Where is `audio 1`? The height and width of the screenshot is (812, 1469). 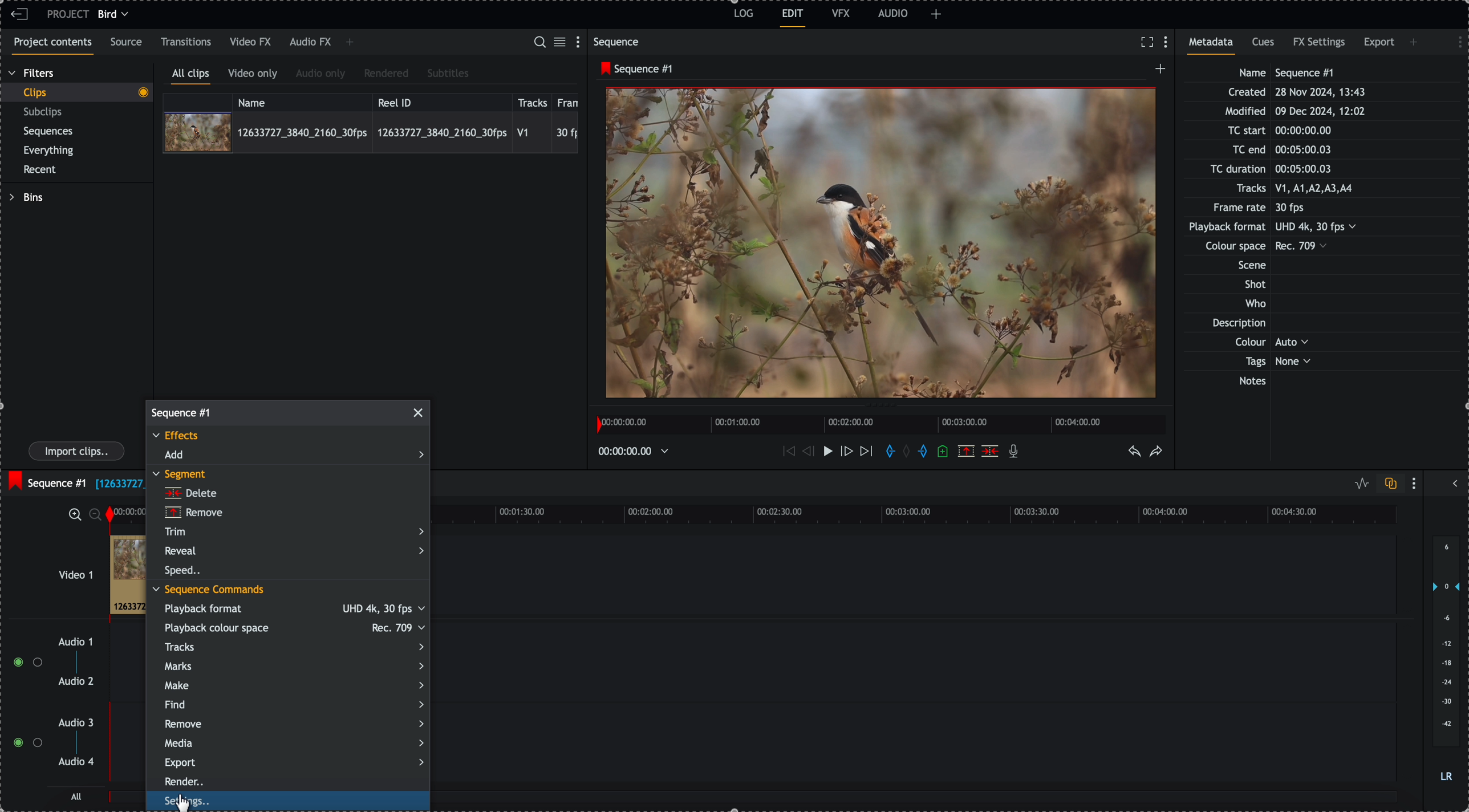
audio 1 is located at coordinates (71, 643).